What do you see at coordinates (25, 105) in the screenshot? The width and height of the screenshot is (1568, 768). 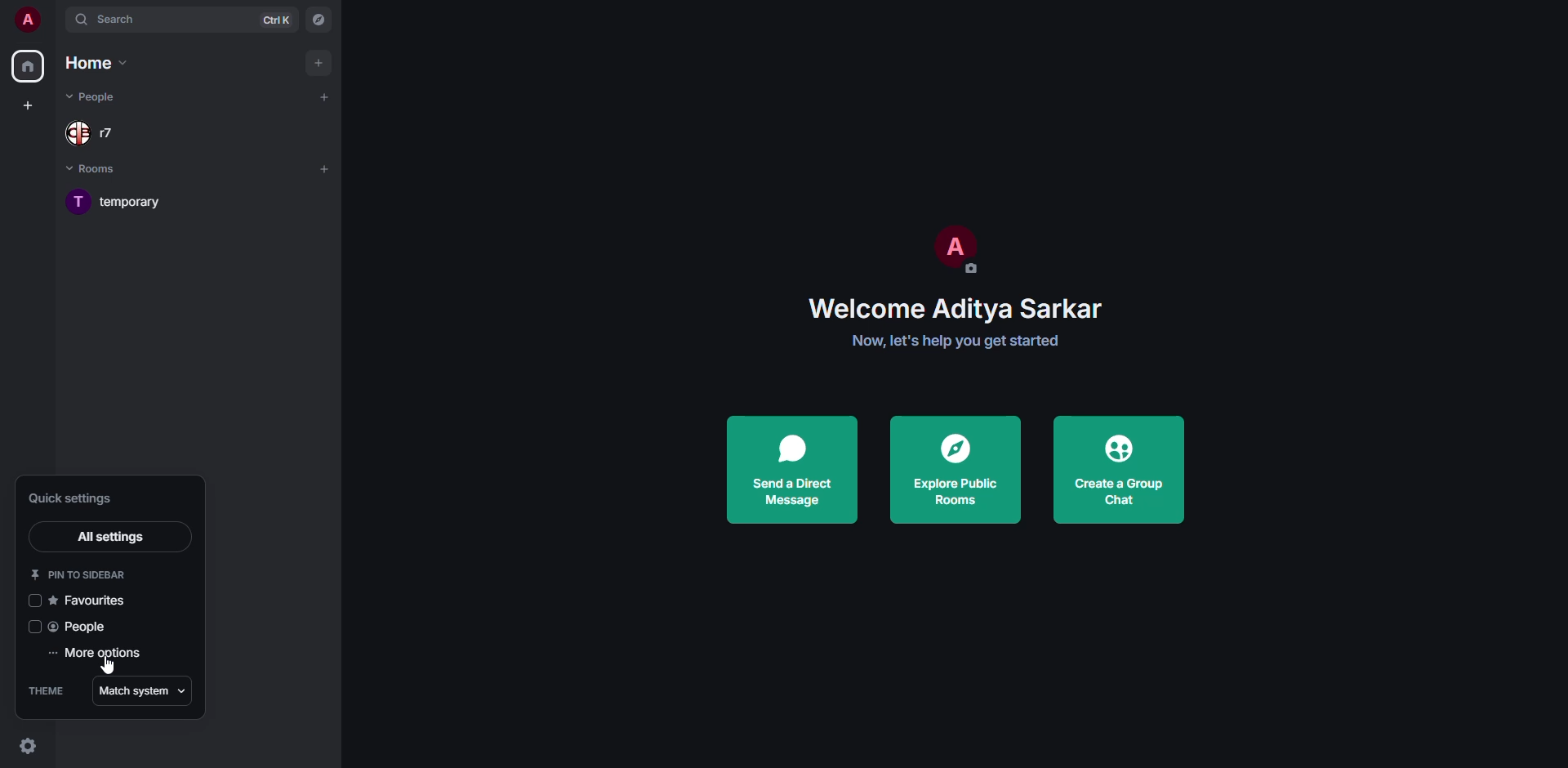 I see `create space` at bounding box center [25, 105].